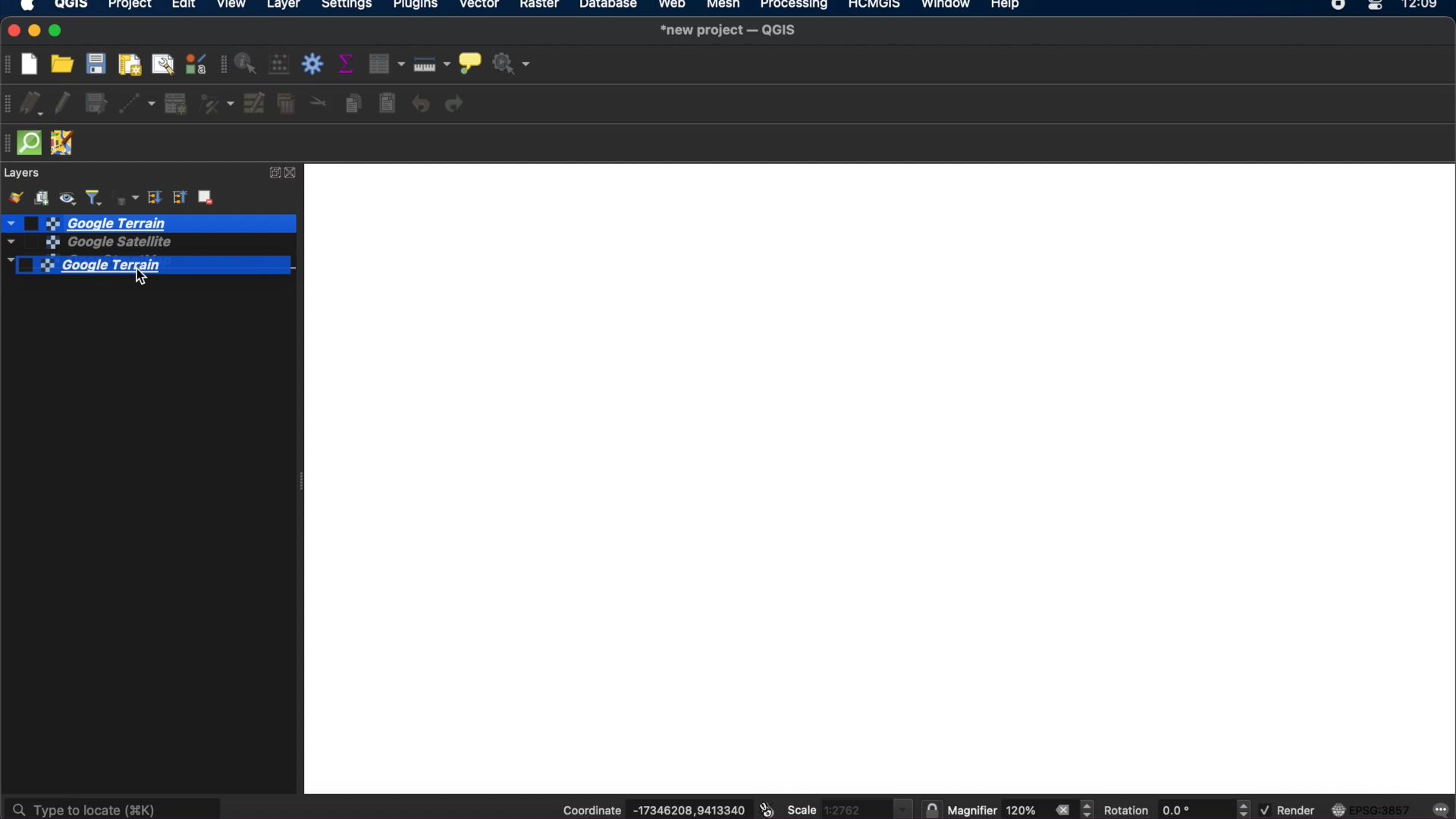  What do you see at coordinates (34, 62) in the screenshot?
I see `new project` at bounding box center [34, 62].